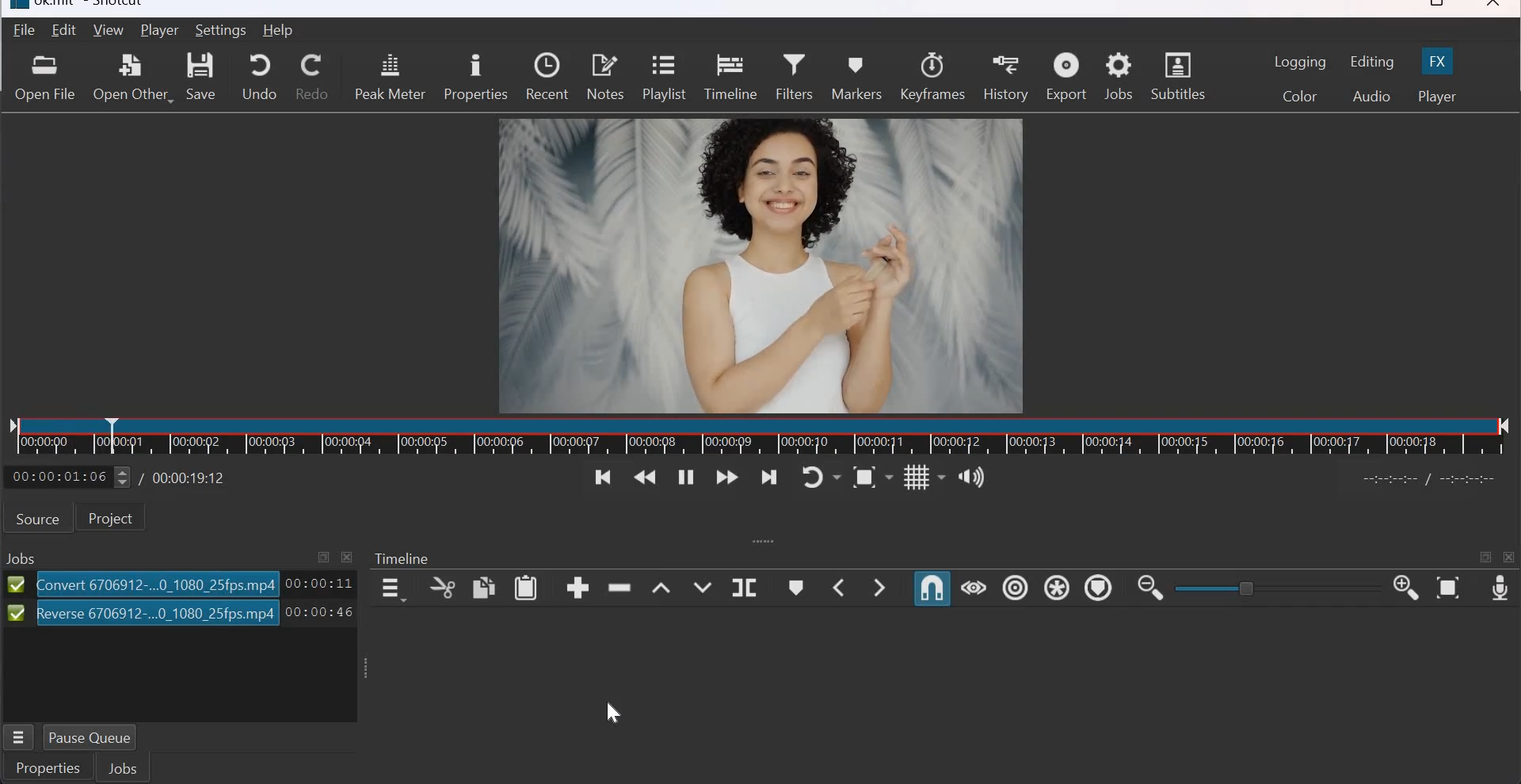 The image size is (1521, 784). I want to click on Recent, so click(547, 77).